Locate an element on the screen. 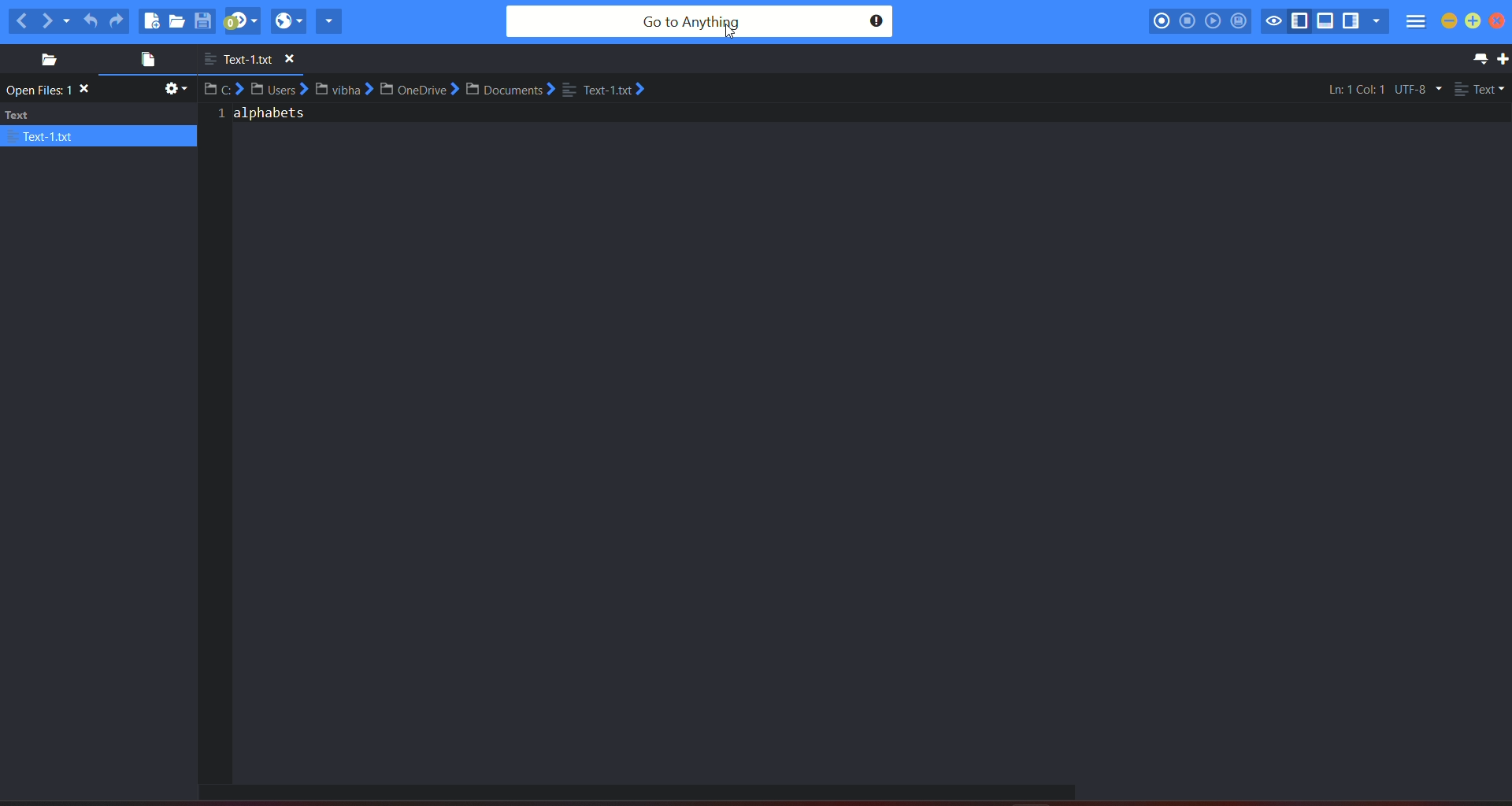 Image resolution: width=1512 pixels, height=806 pixels. jump to next is located at coordinates (242, 21).